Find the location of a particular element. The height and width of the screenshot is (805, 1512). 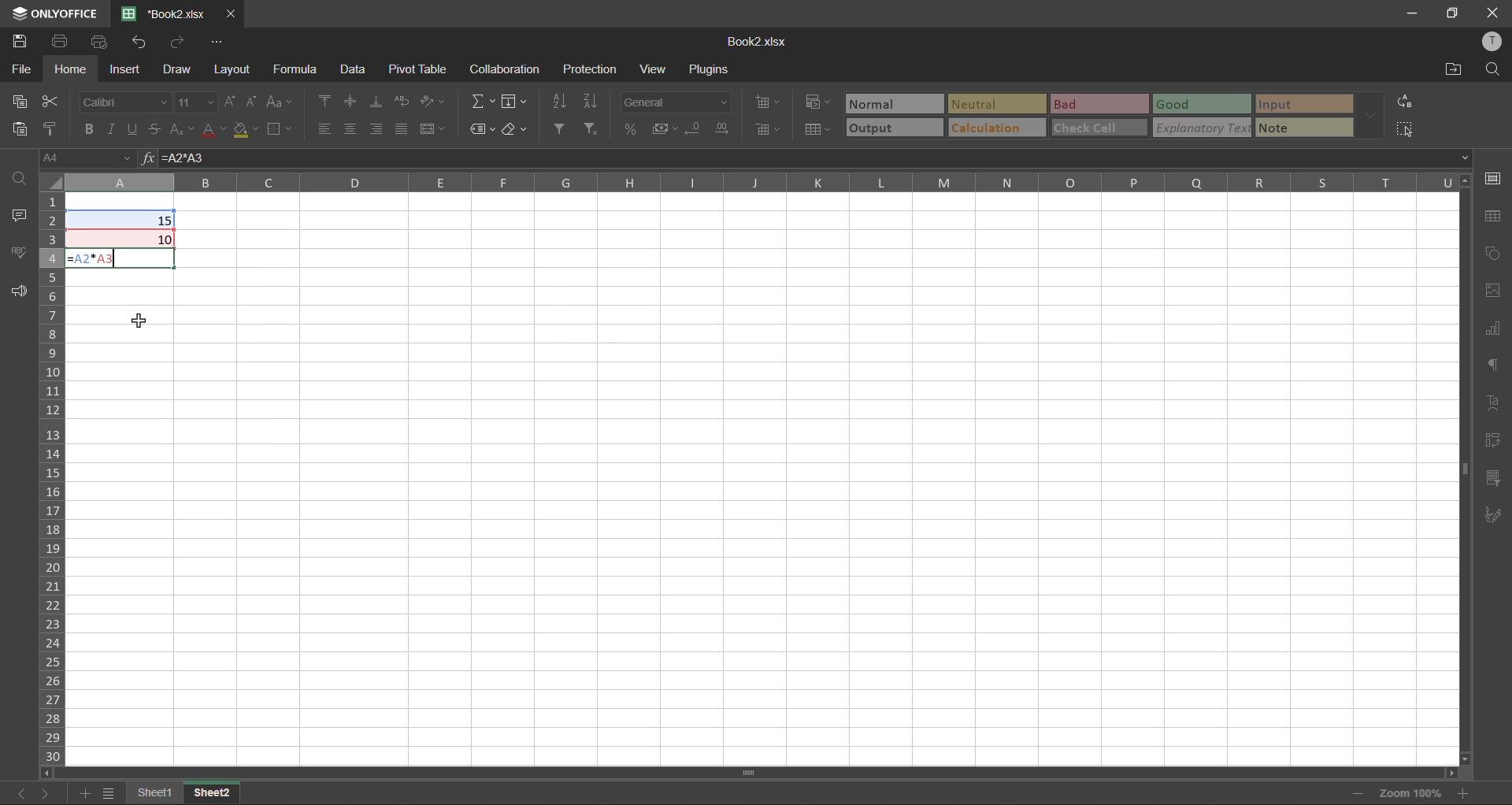

fill color is located at coordinates (245, 129).